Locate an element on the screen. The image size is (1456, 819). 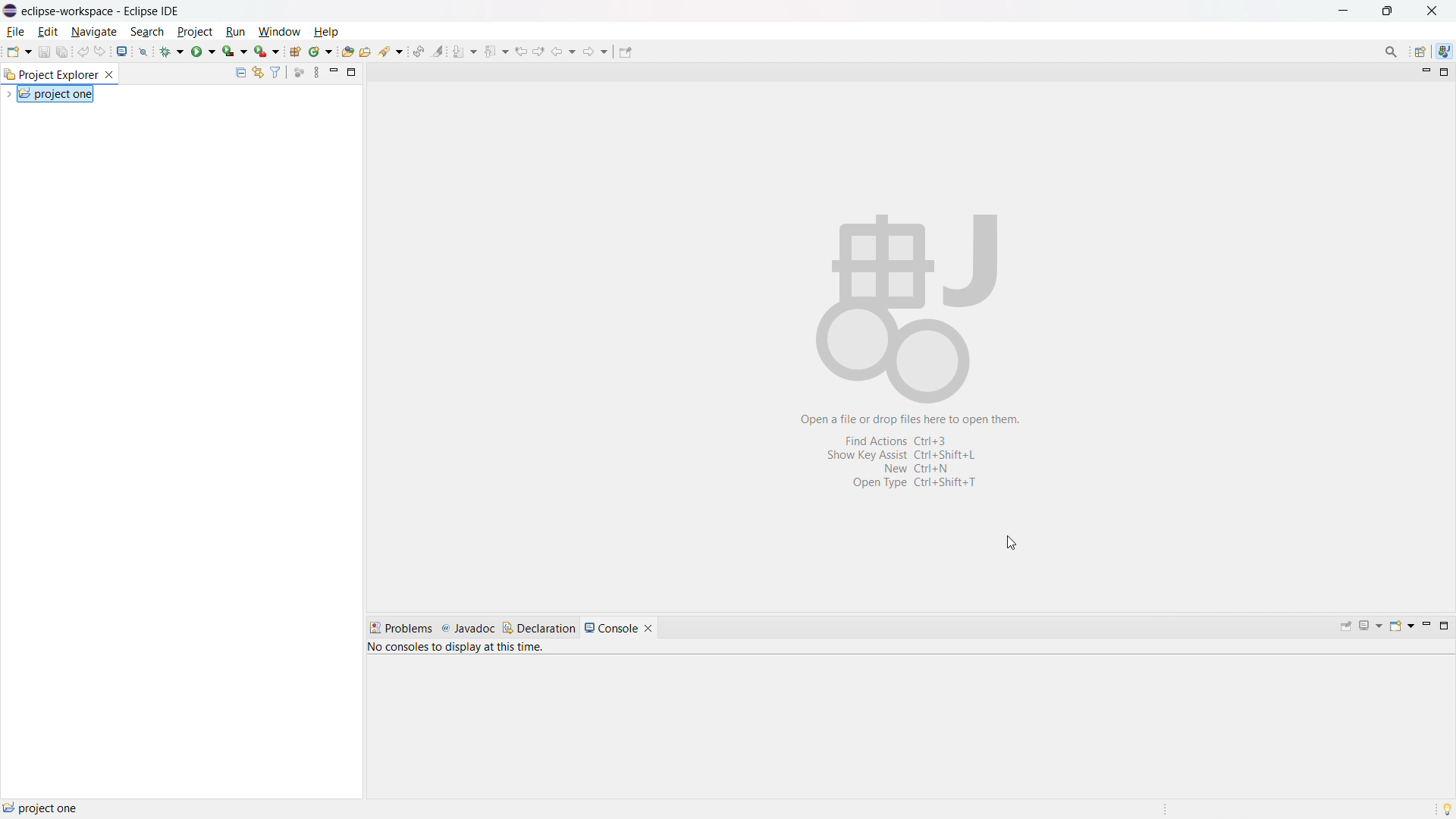
show key assist ctrl+shift+L is located at coordinates (898, 454).